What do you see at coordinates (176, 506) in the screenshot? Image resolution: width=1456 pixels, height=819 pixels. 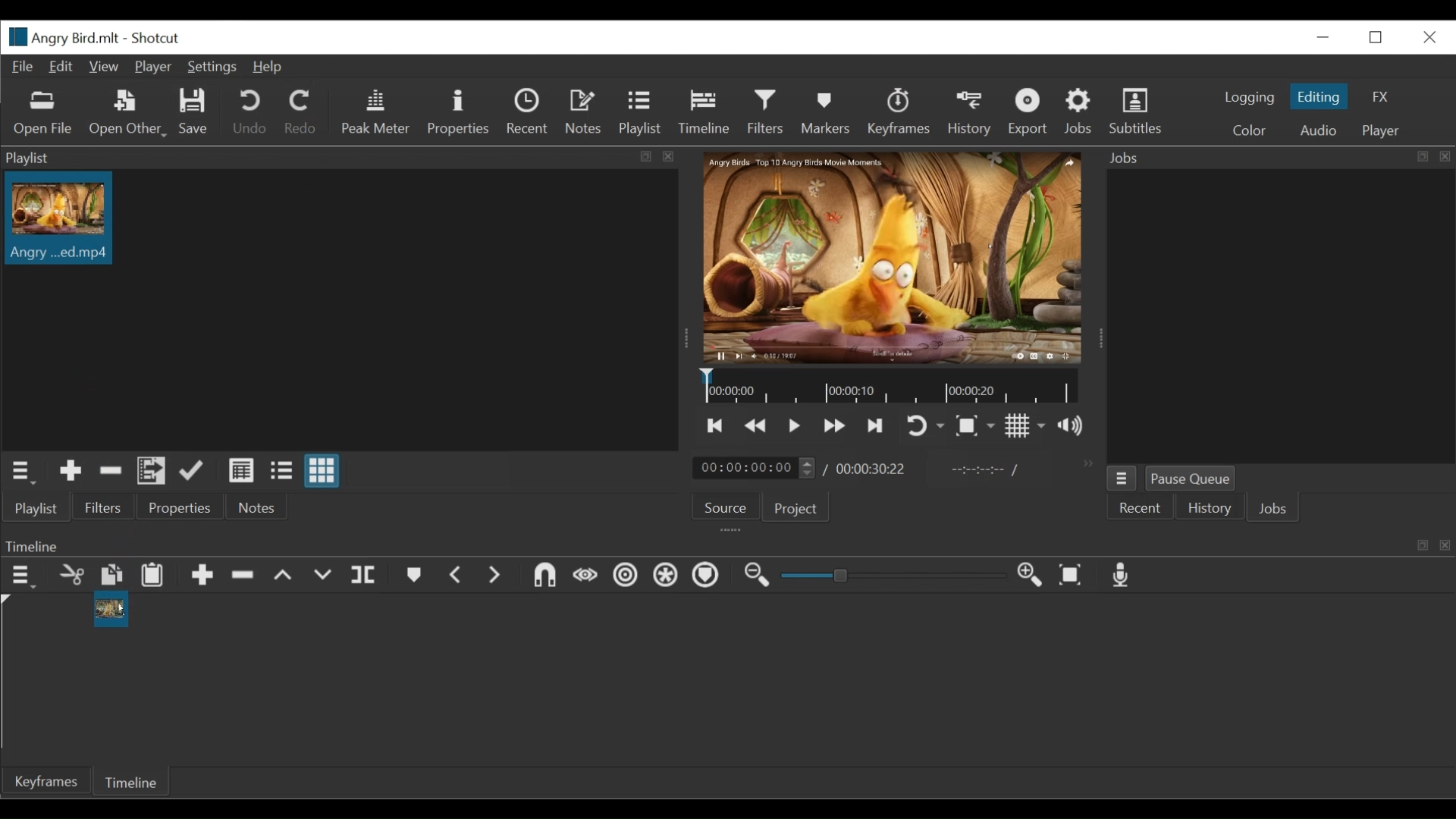 I see `Properties` at bounding box center [176, 506].